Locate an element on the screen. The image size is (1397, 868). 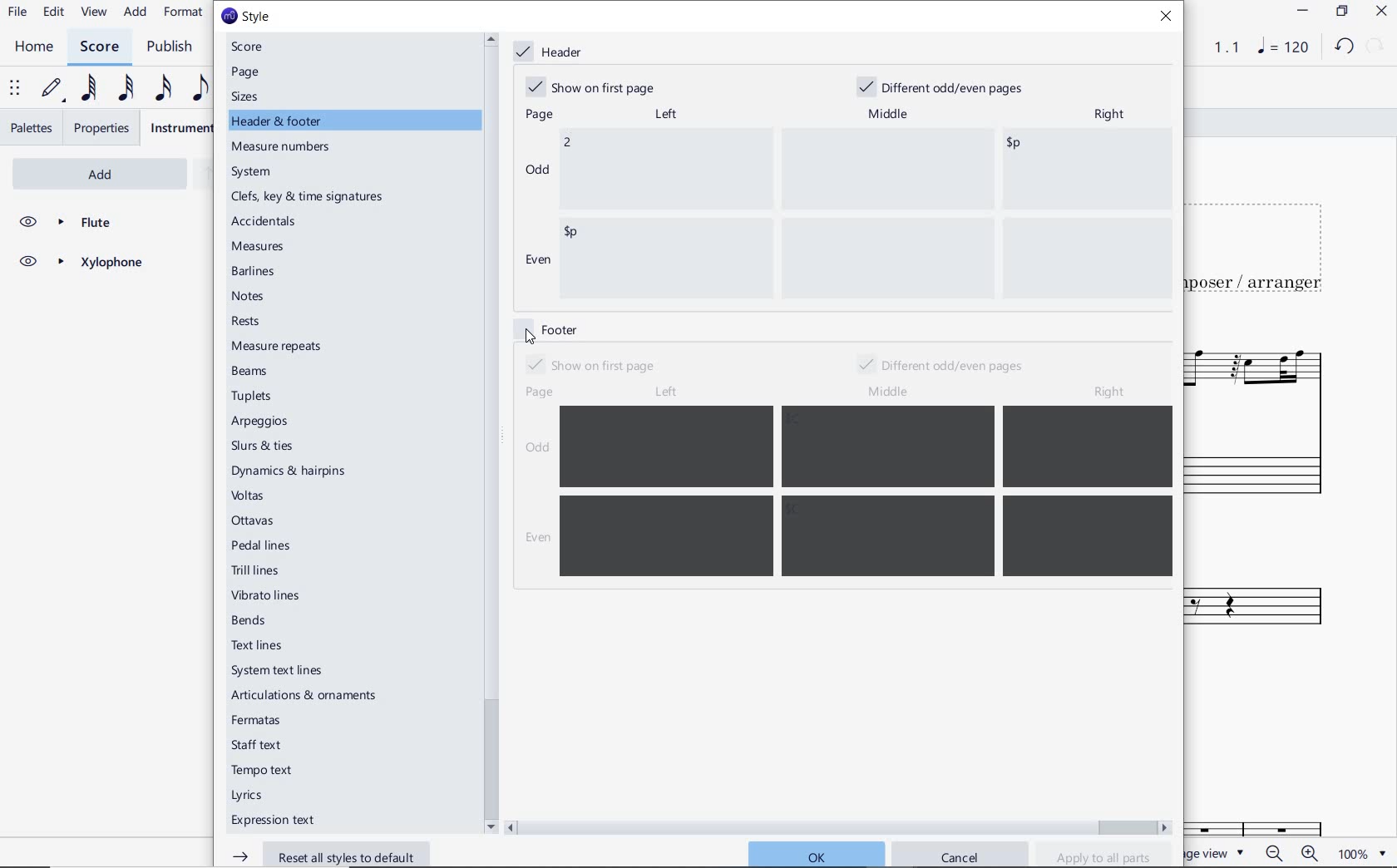
PROPERTIES is located at coordinates (103, 128).